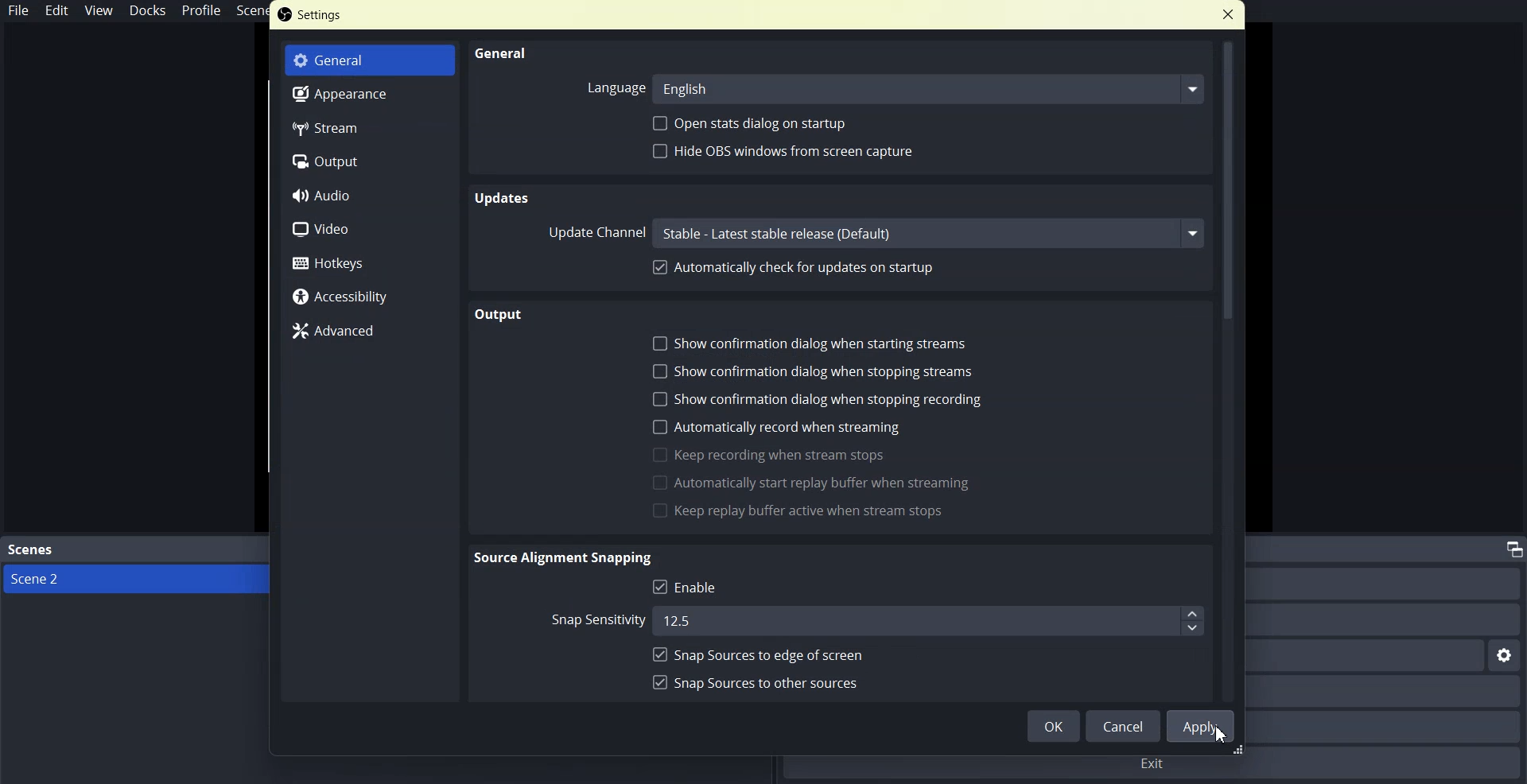  I want to click on Advanced, so click(368, 330).